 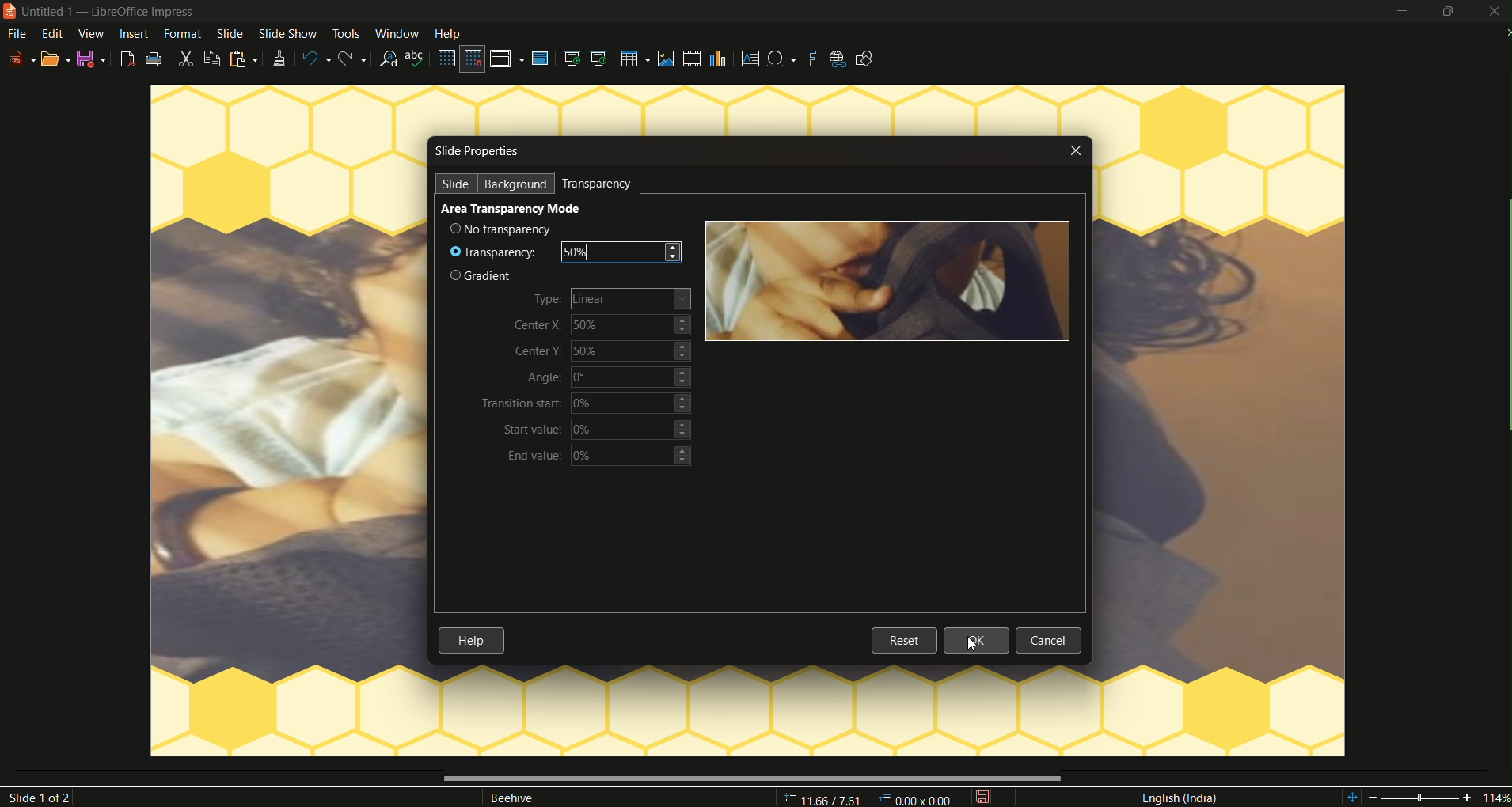 I want to click on insert, so click(x=133, y=33).